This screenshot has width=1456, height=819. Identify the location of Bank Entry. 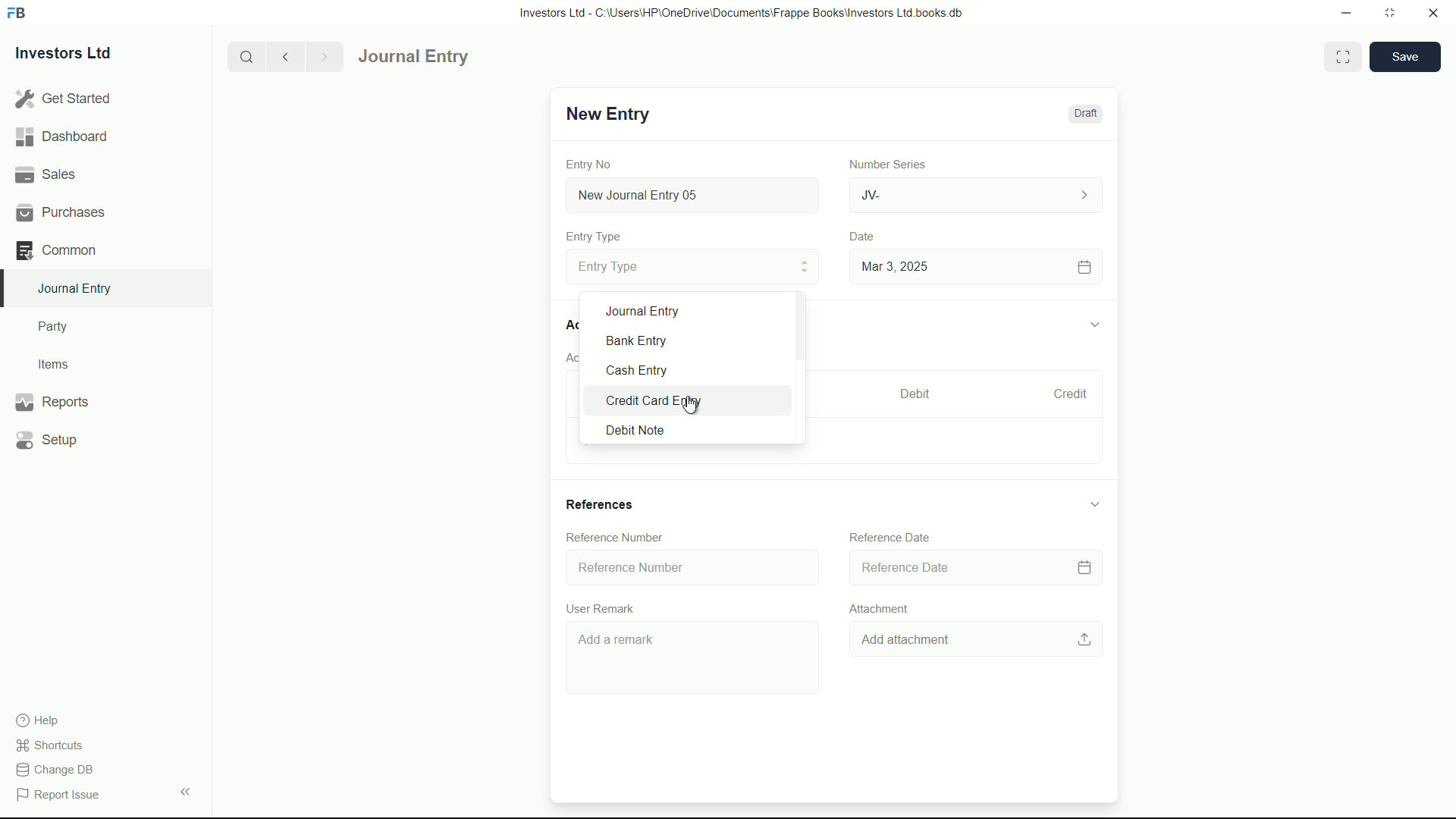
(650, 342).